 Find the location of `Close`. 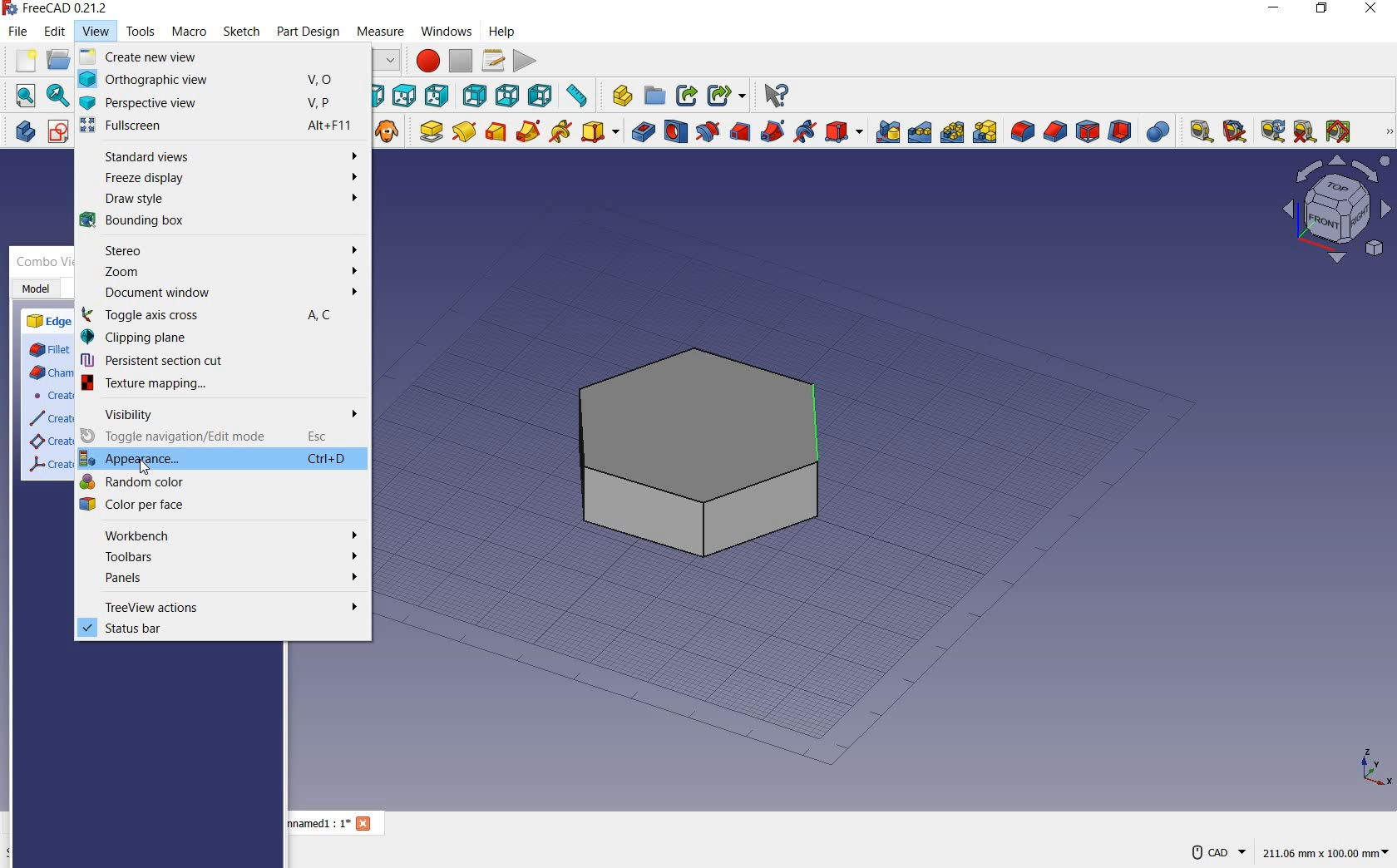

Close is located at coordinates (366, 825).